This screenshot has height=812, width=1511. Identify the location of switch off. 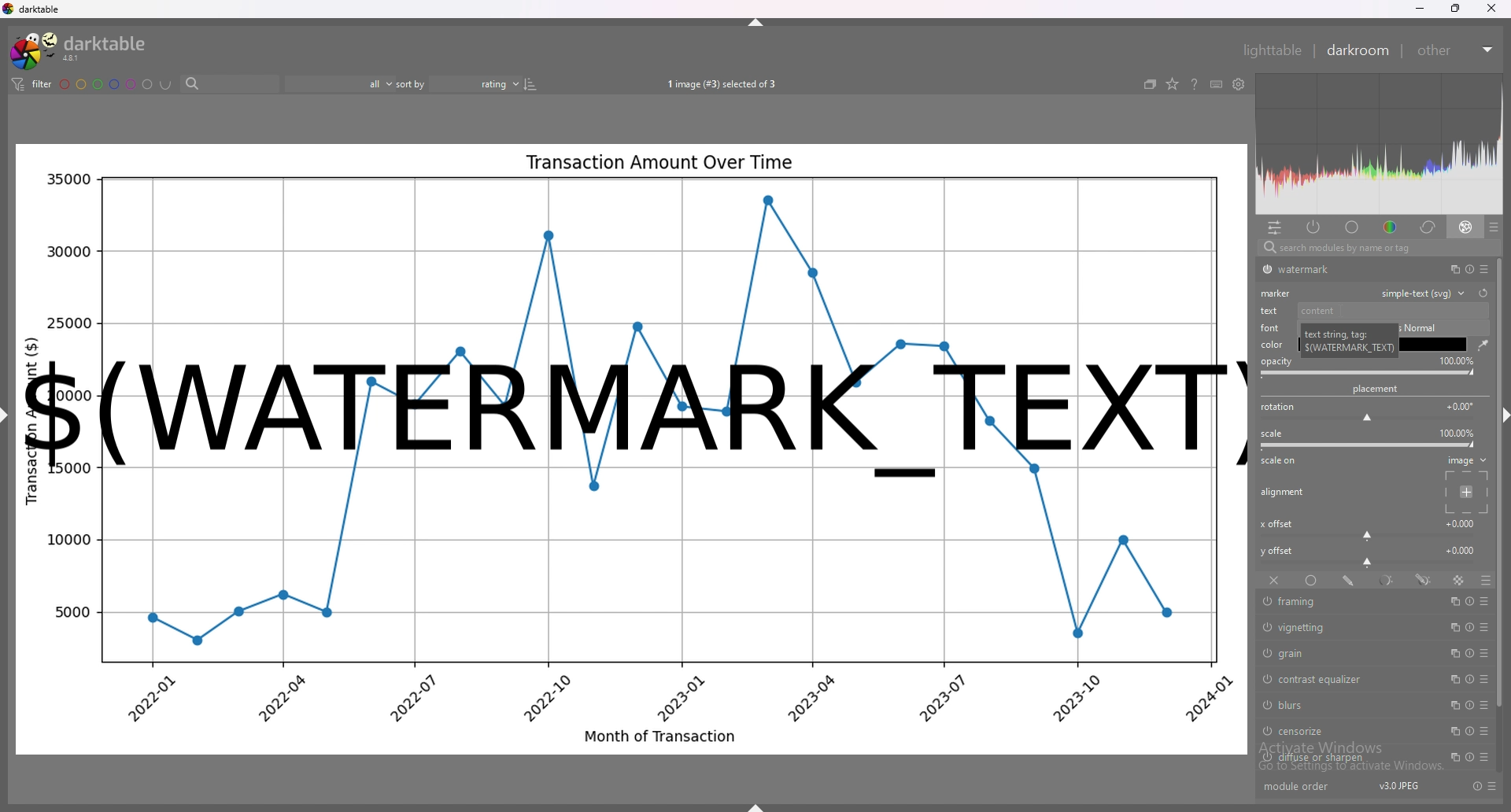
(1265, 677).